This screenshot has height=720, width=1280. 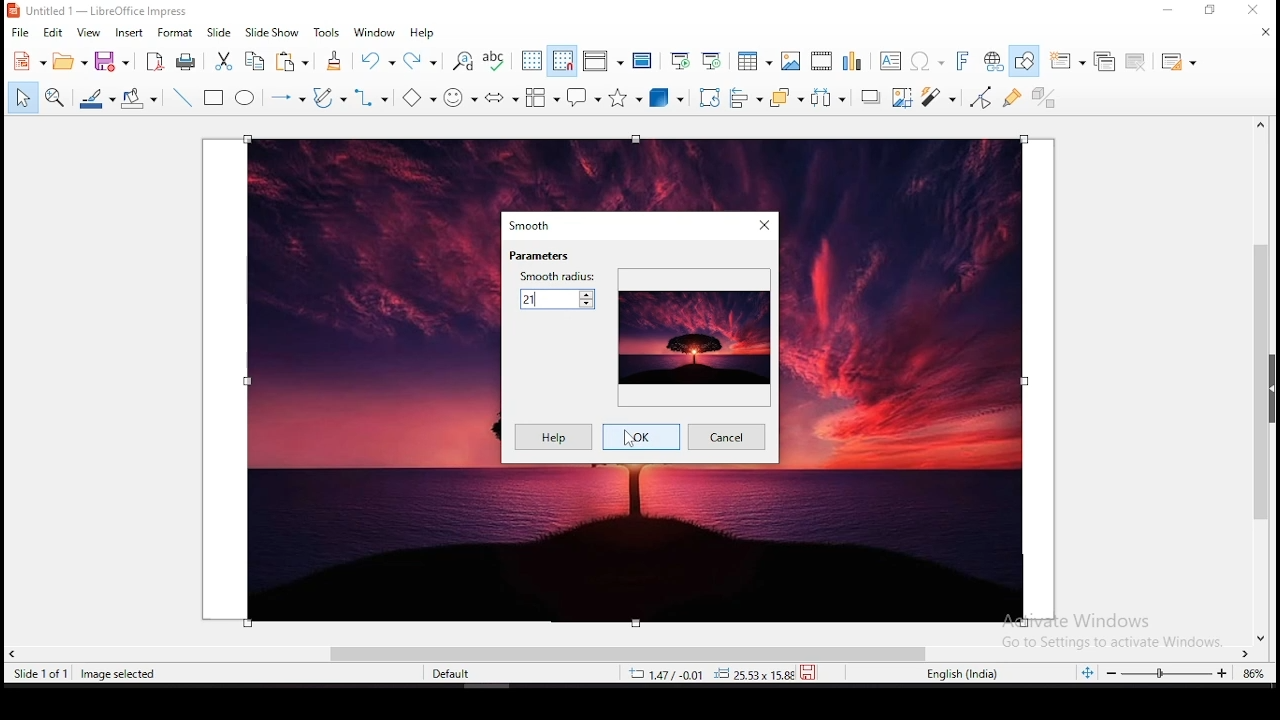 I want to click on display grid, so click(x=531, y=61).